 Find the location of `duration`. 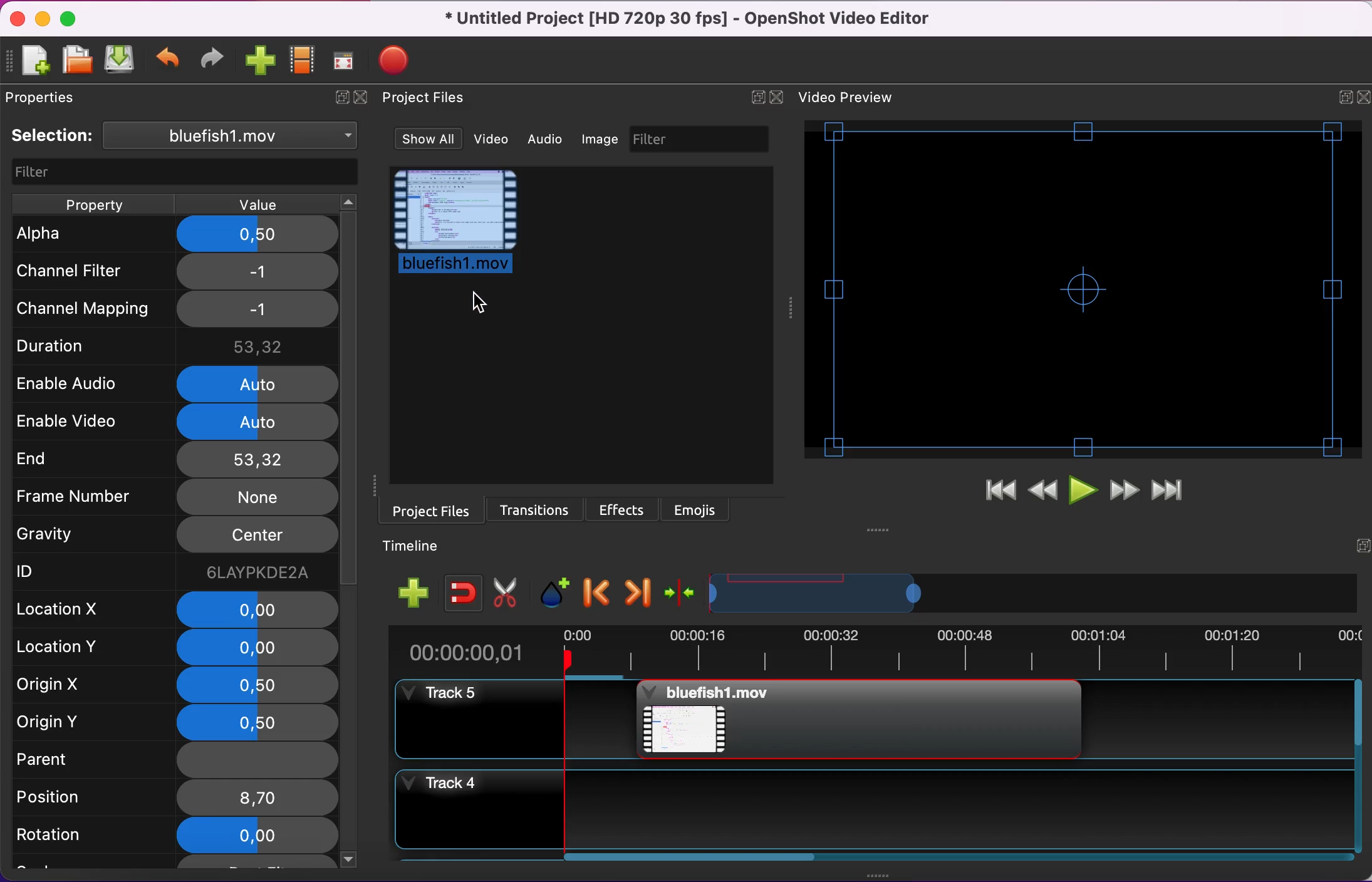

duration is located at coordinates (93, 348).